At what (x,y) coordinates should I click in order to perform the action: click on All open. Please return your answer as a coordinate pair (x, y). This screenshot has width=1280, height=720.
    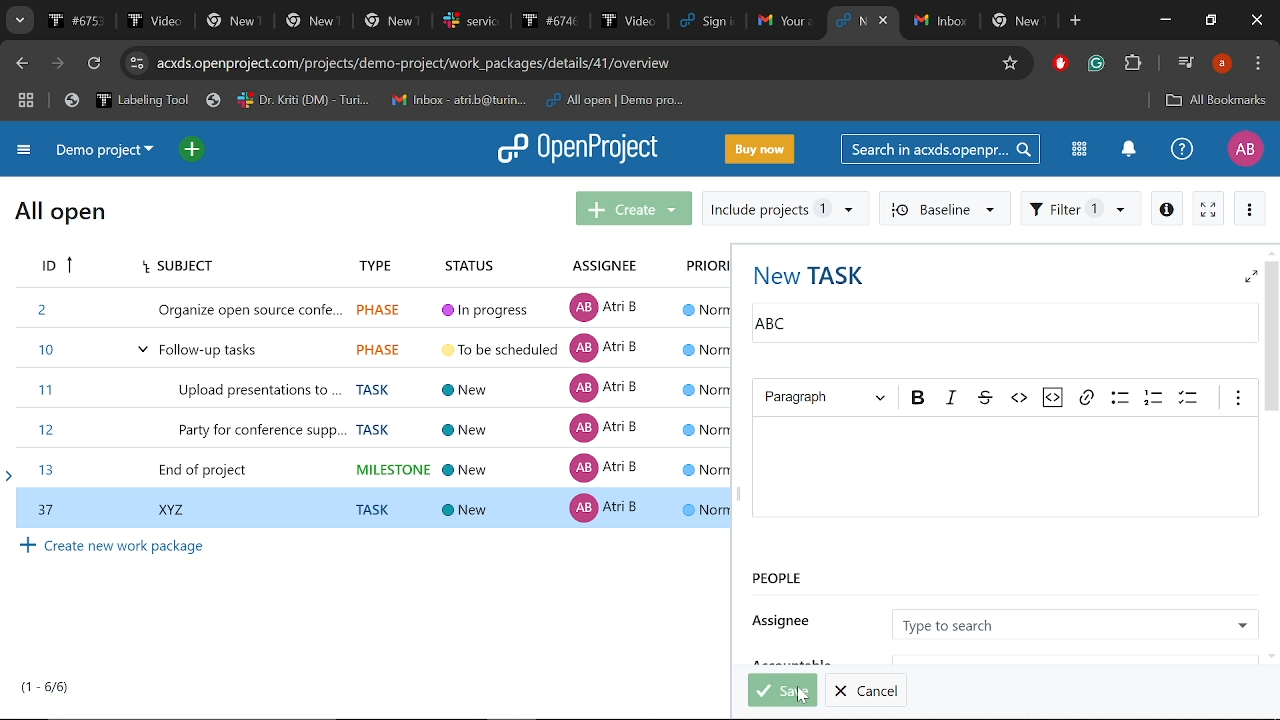
    Looking at the image, I should click on (61, 215).